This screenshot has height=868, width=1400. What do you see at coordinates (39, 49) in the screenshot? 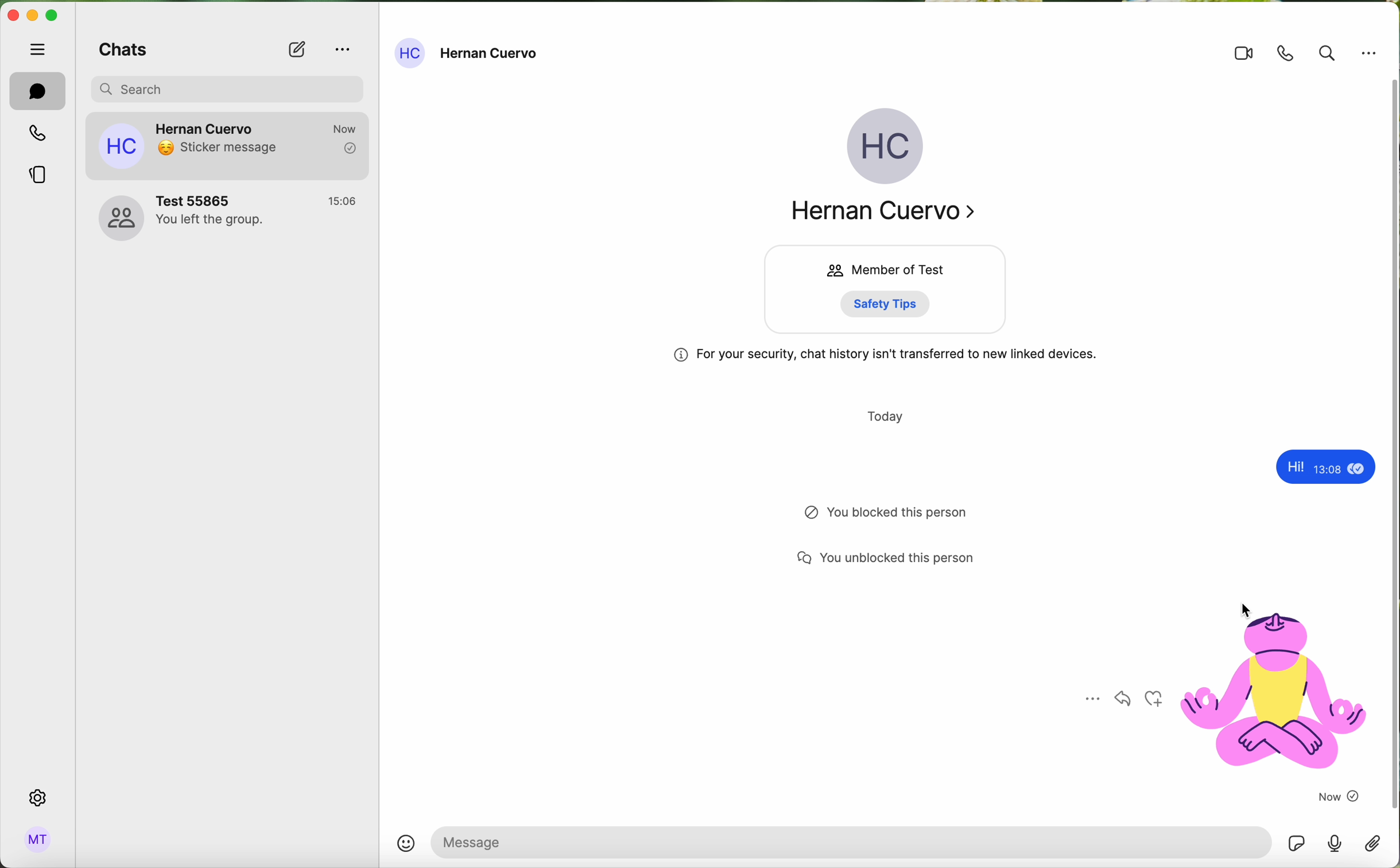
I see `hide tabs` at bounding box center [39, 49].